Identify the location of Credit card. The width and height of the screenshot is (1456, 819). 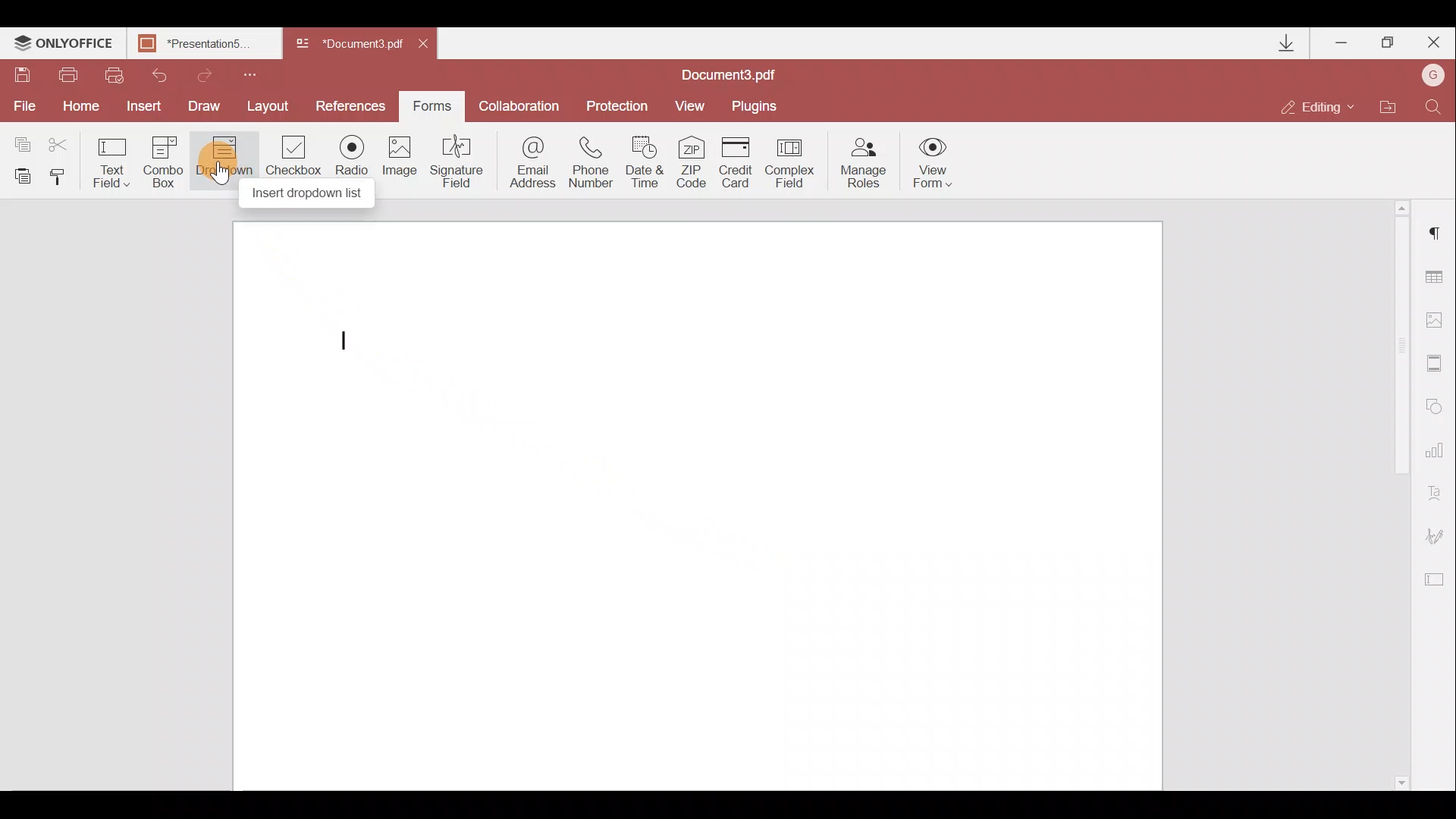
(738, 161).